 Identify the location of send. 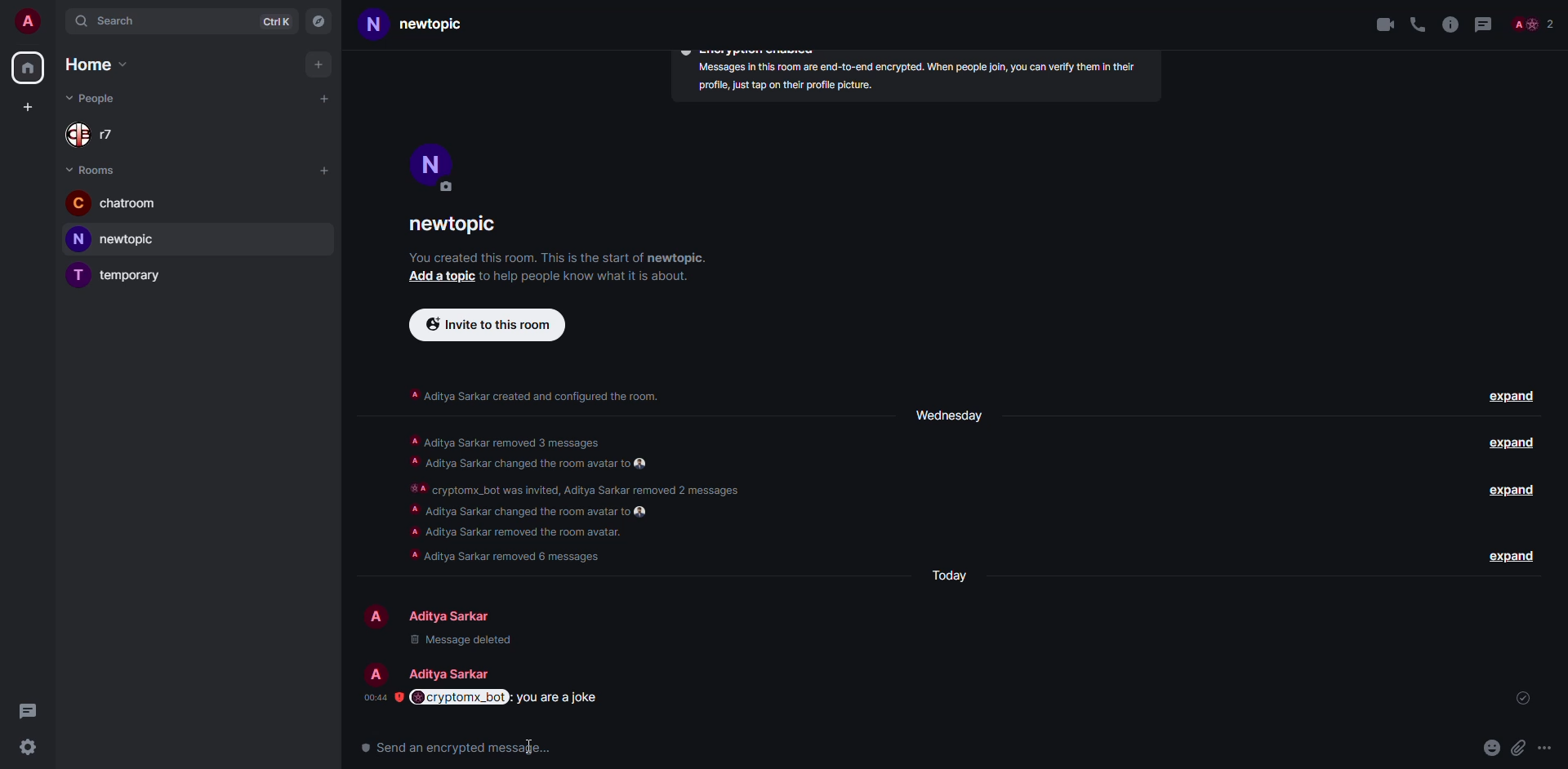
(1547, 746).